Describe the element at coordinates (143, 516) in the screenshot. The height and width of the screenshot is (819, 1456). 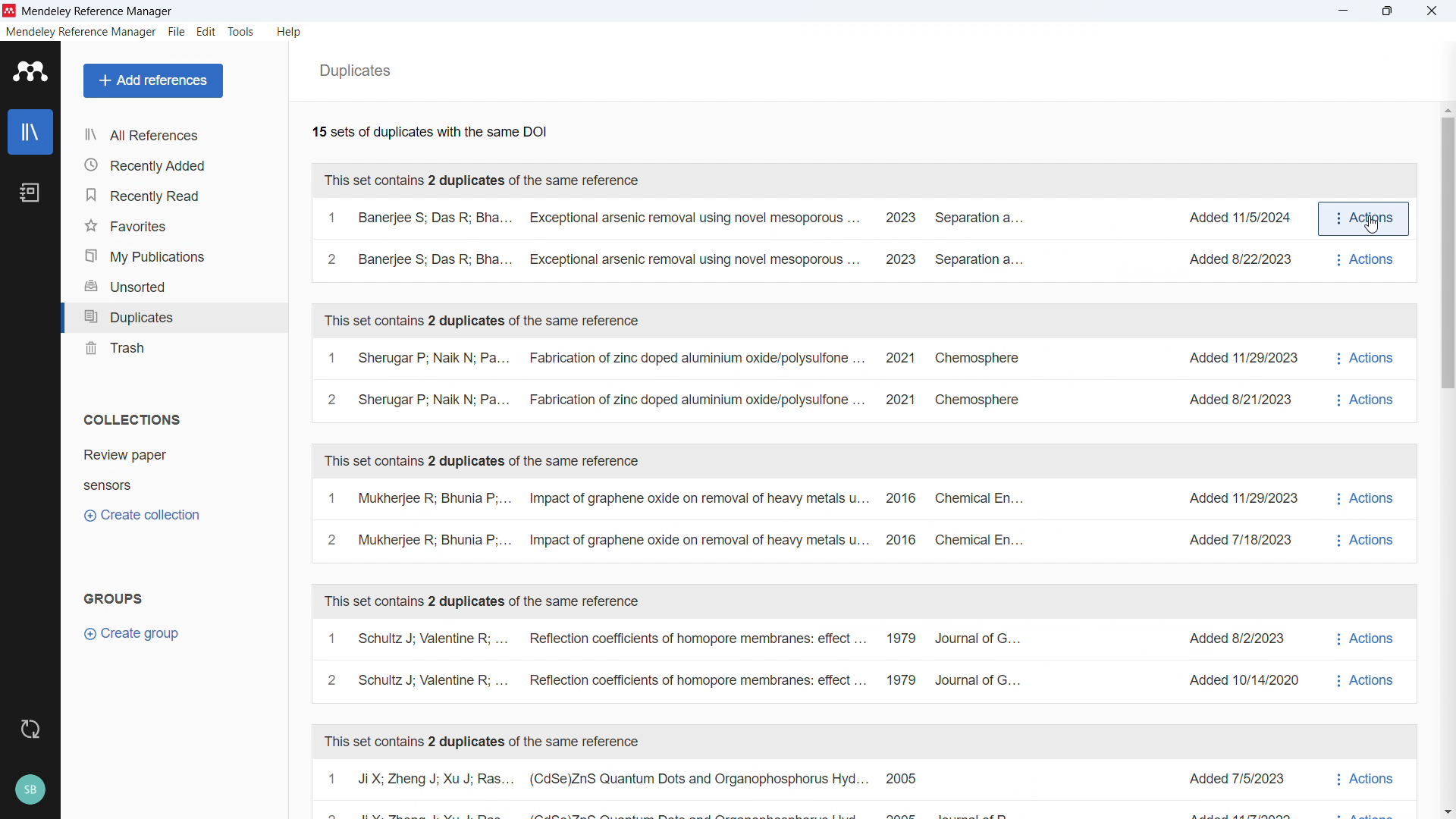
I see `Create collection ` at that location.